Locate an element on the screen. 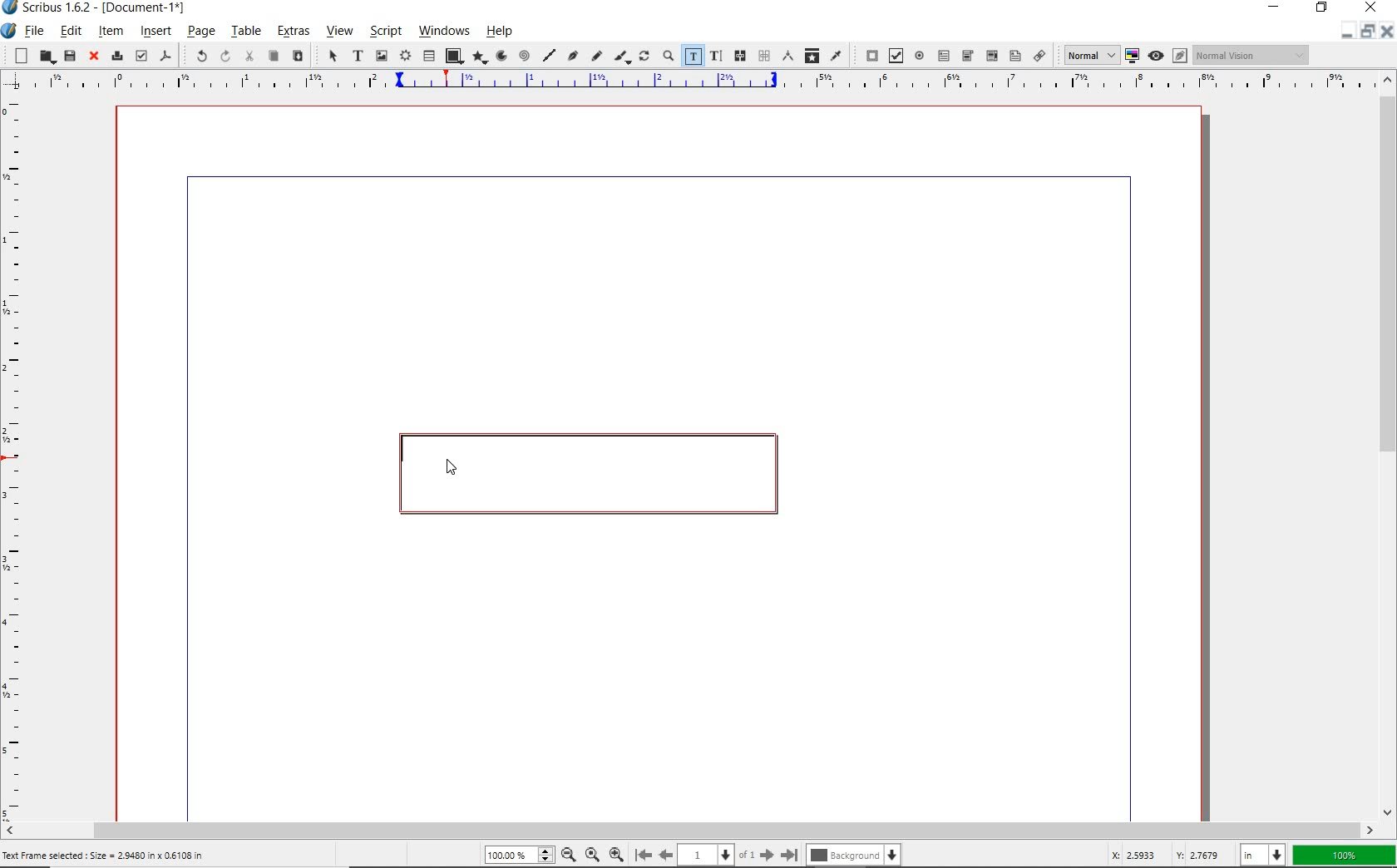 The width and height of the screenshot is (1397, 868). Minimize is located at coordinates (1366, 32).